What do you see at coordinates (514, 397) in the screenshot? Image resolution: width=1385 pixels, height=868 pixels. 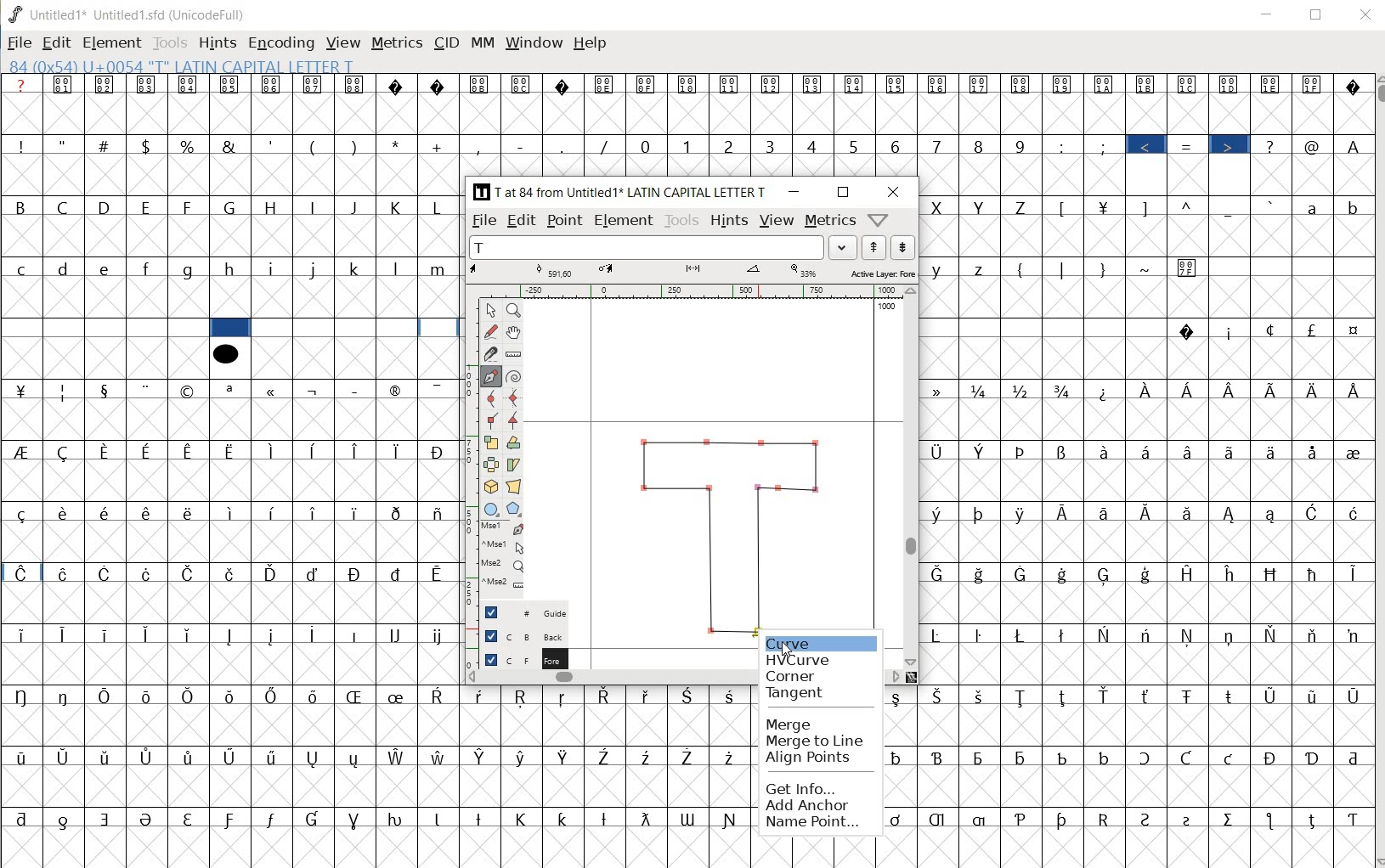 I see `HV curve` at bounding box center [514, 397].